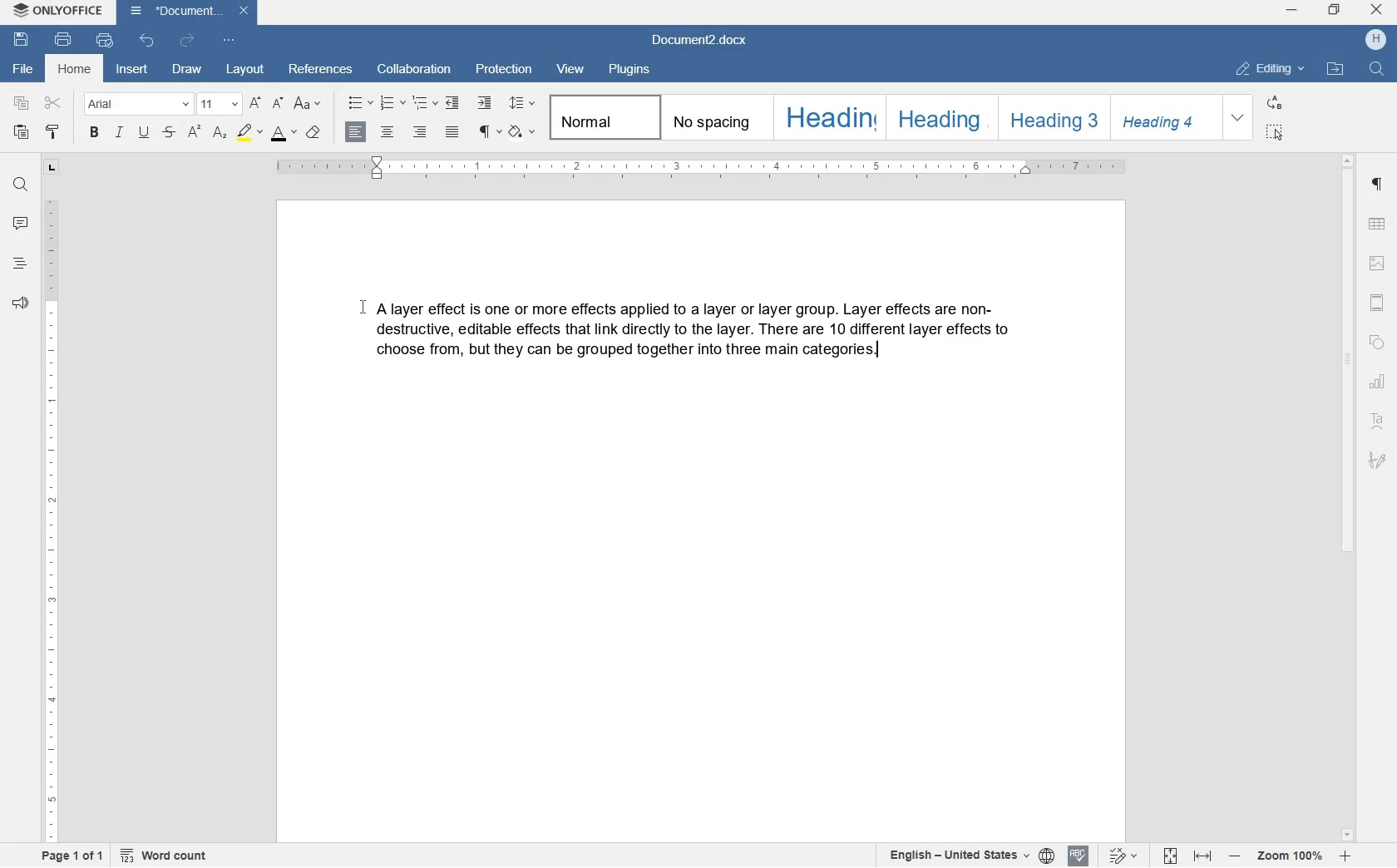  What do you see at coordinates (1289, 856) in the screenshot?
I see `zoom in or zoom out` at bounding box center [1289, 856].